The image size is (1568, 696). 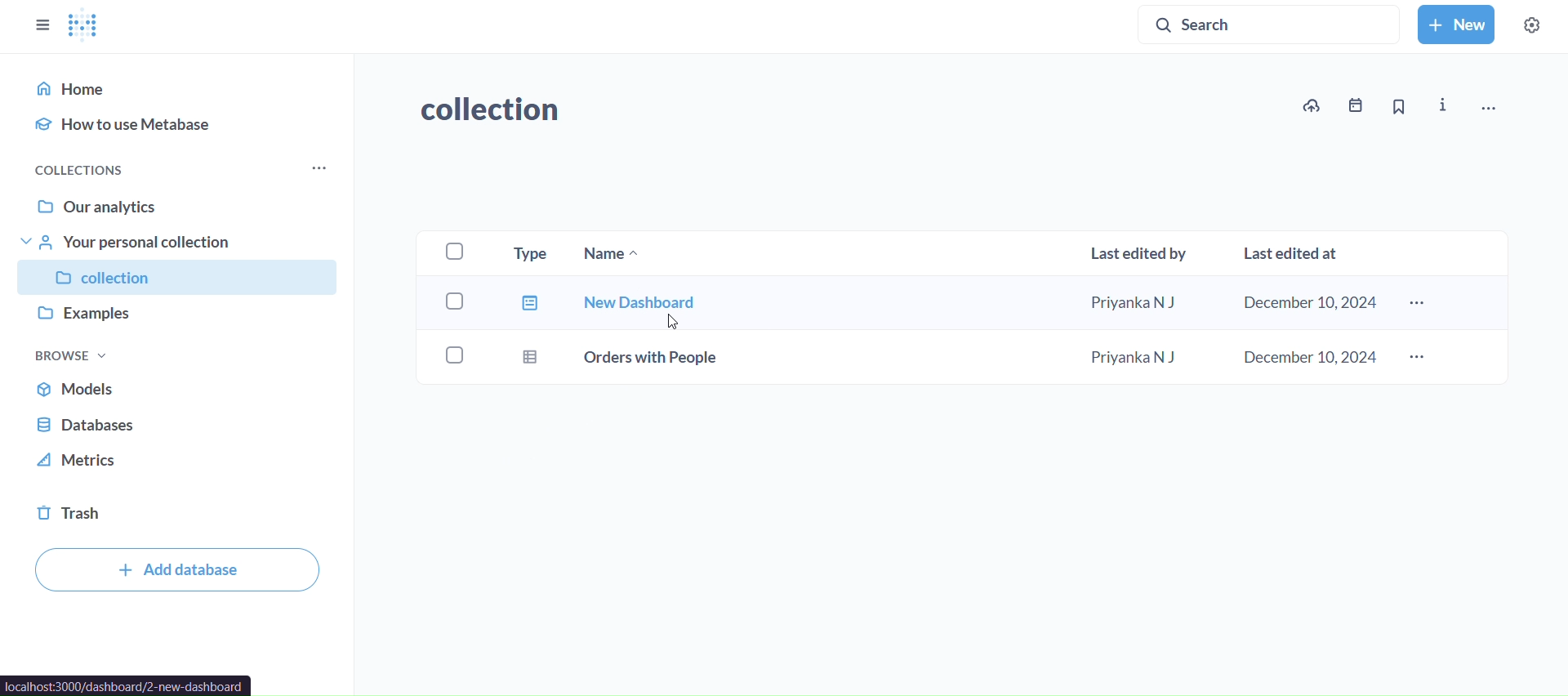 What do you see at coordinates (1295, 253) in the screenshot?
I see `last edited at` at bounding box center [1295, 253].